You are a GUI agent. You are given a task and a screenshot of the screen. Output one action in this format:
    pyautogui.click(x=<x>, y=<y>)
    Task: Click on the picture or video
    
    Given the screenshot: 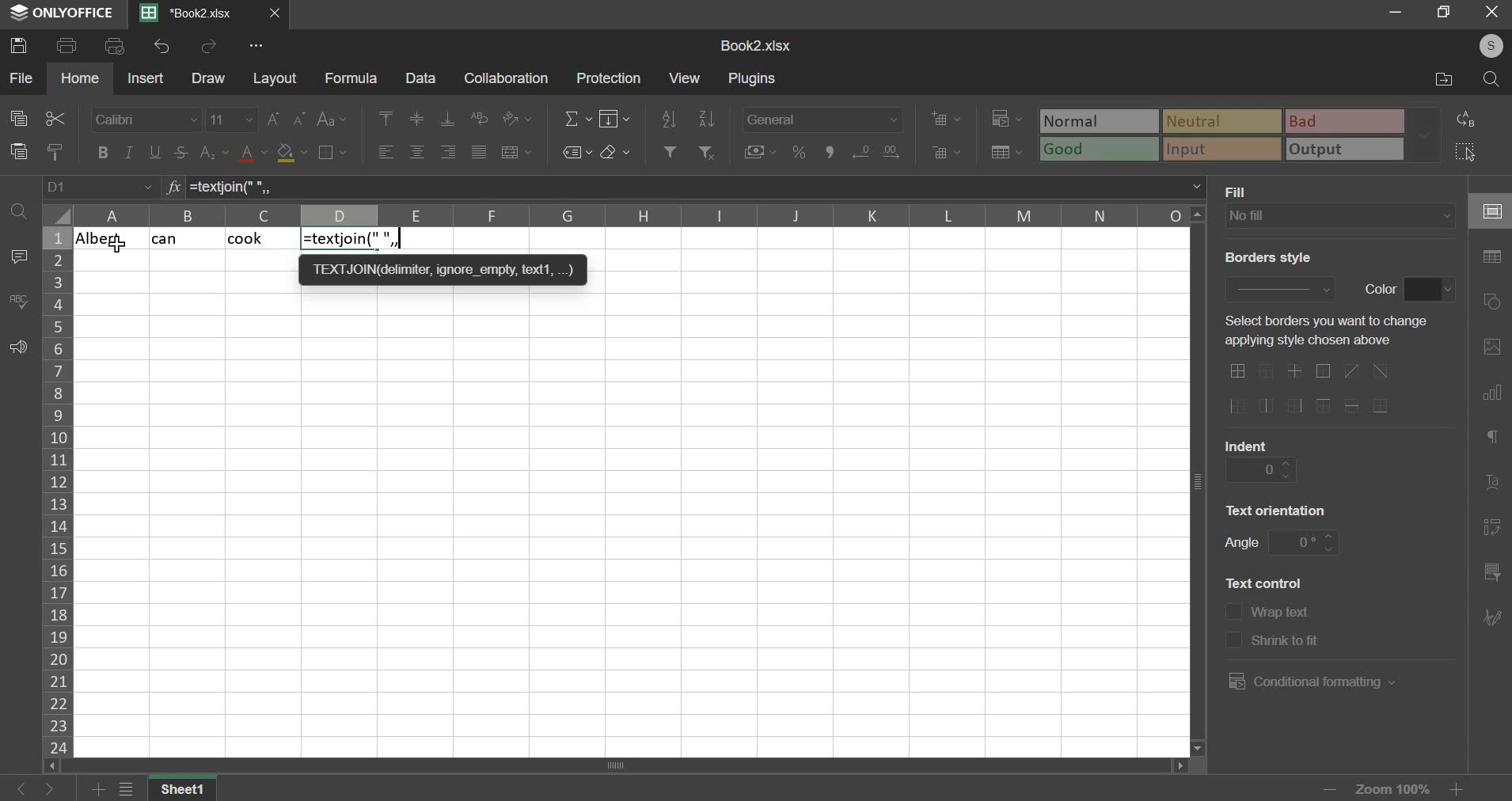 What is the action you would take?
    pyautogui.click(x=1491, y=348)
    